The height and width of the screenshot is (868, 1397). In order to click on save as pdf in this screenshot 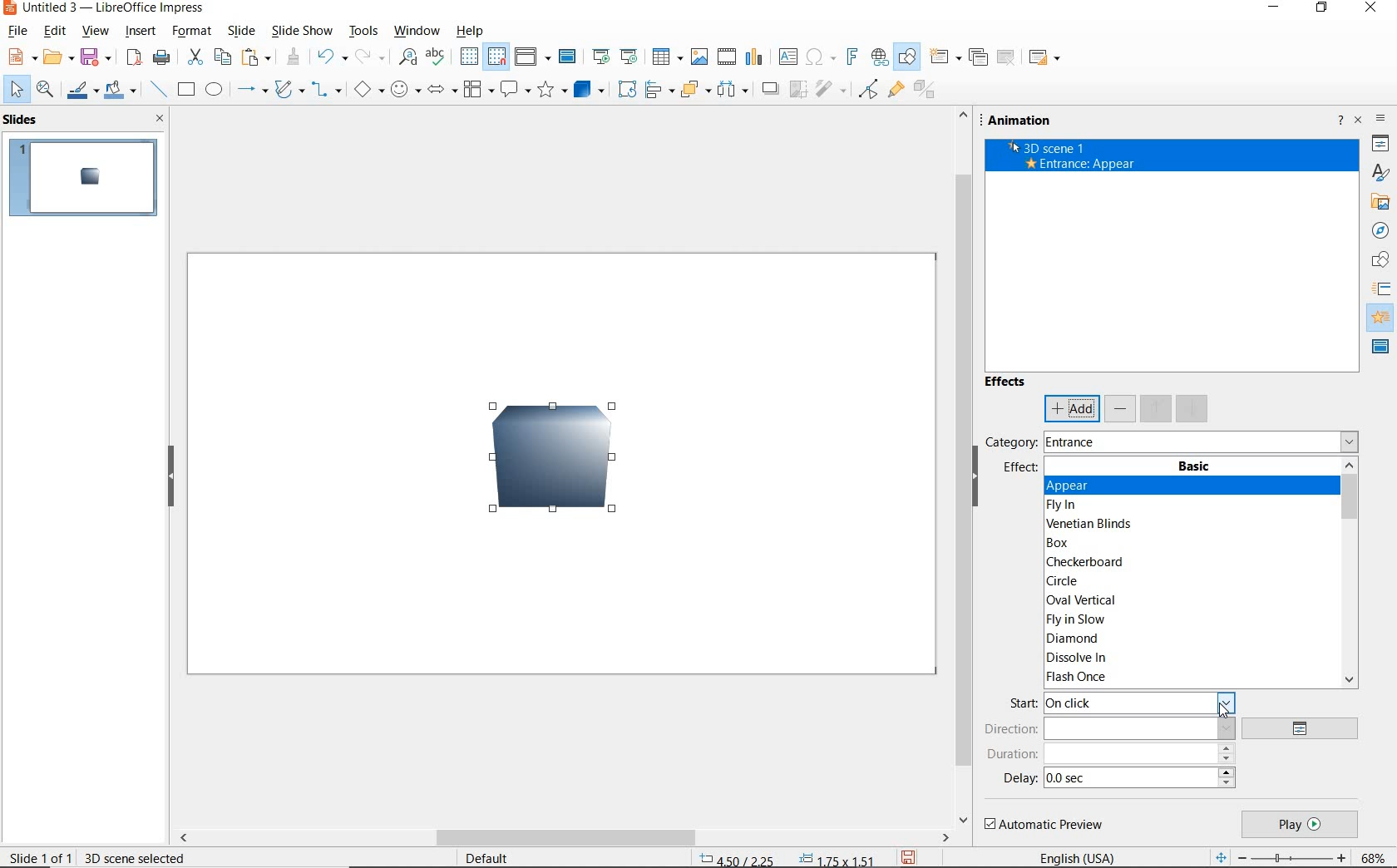, I will do `click(132, 57)`.